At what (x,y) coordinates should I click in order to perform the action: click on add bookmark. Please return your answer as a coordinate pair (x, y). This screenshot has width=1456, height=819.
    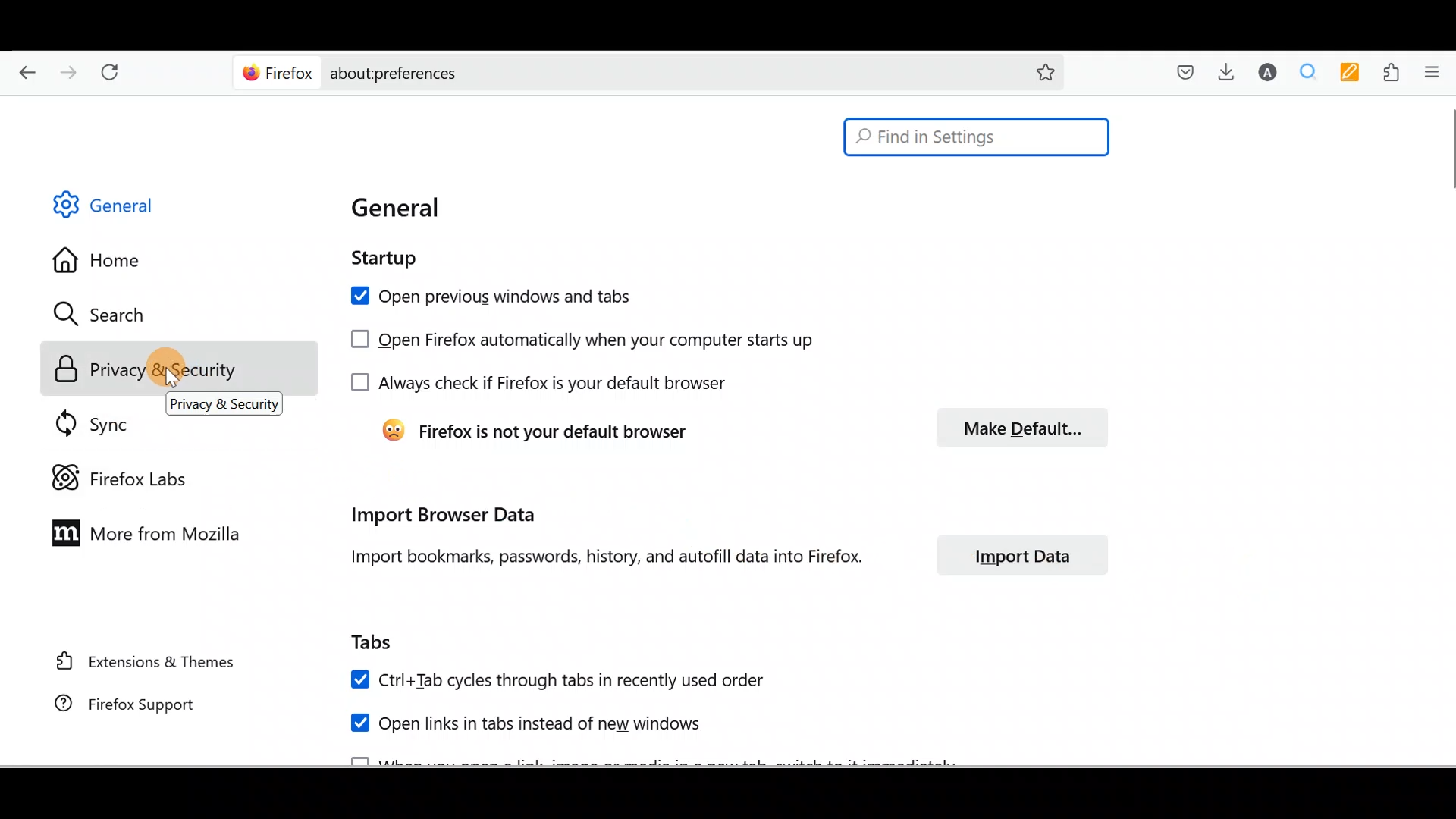
    Looking at the image, I should click on (1046, 74).